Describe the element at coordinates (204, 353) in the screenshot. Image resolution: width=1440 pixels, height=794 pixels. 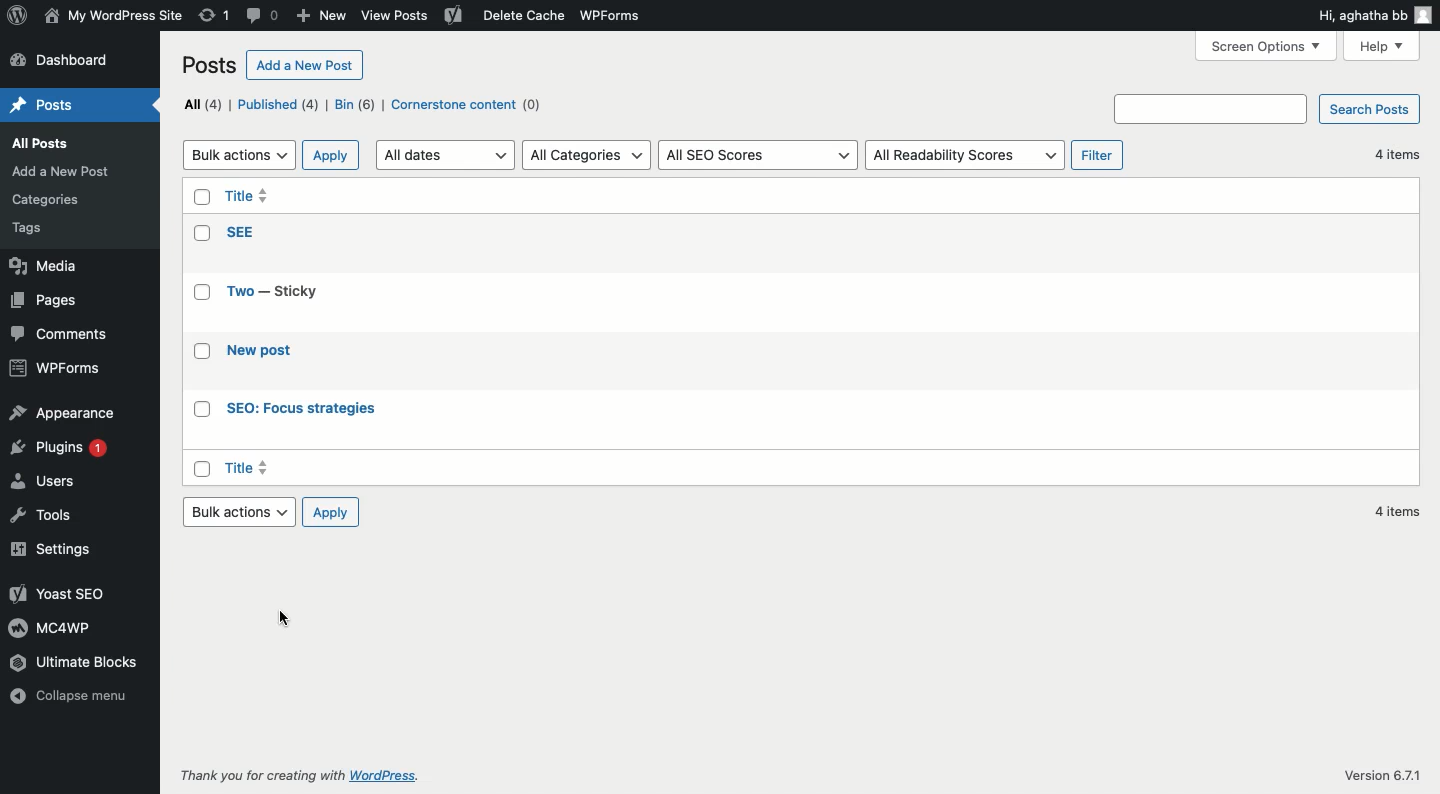
I see `Checkbox` at that location.